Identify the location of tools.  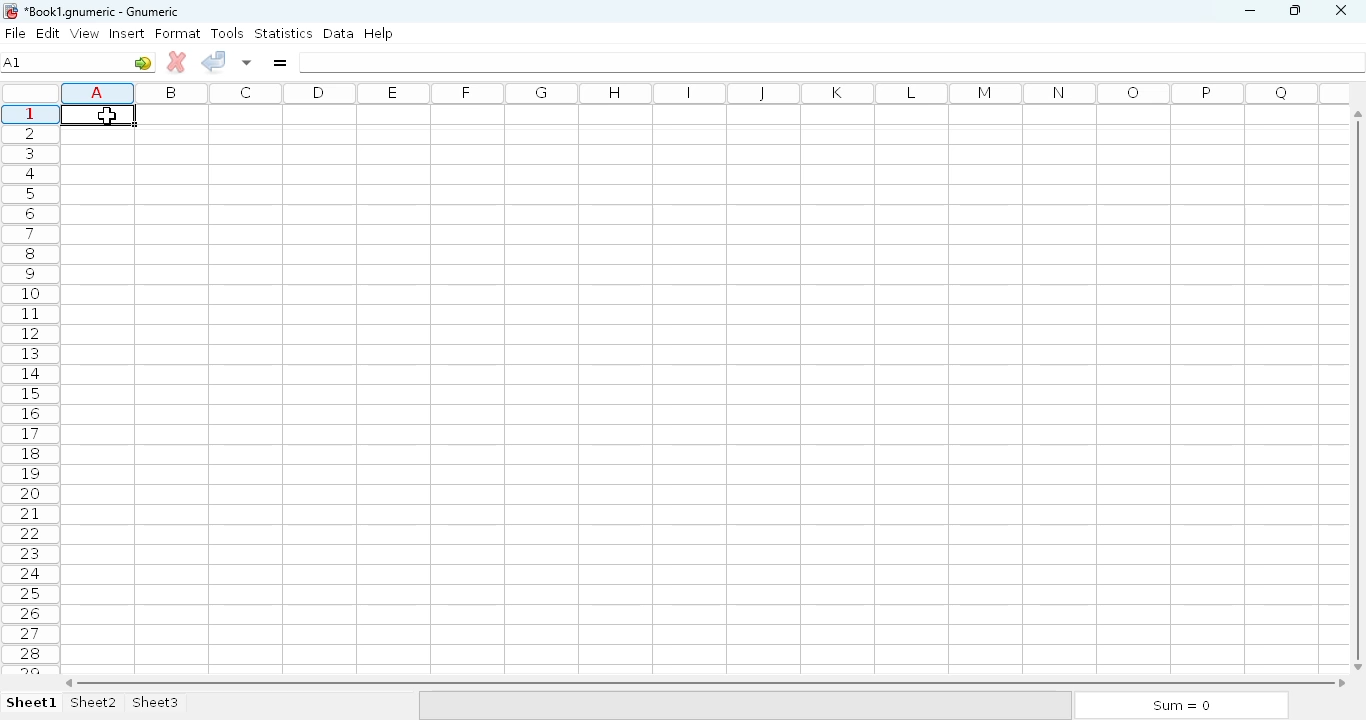
(227, 33).